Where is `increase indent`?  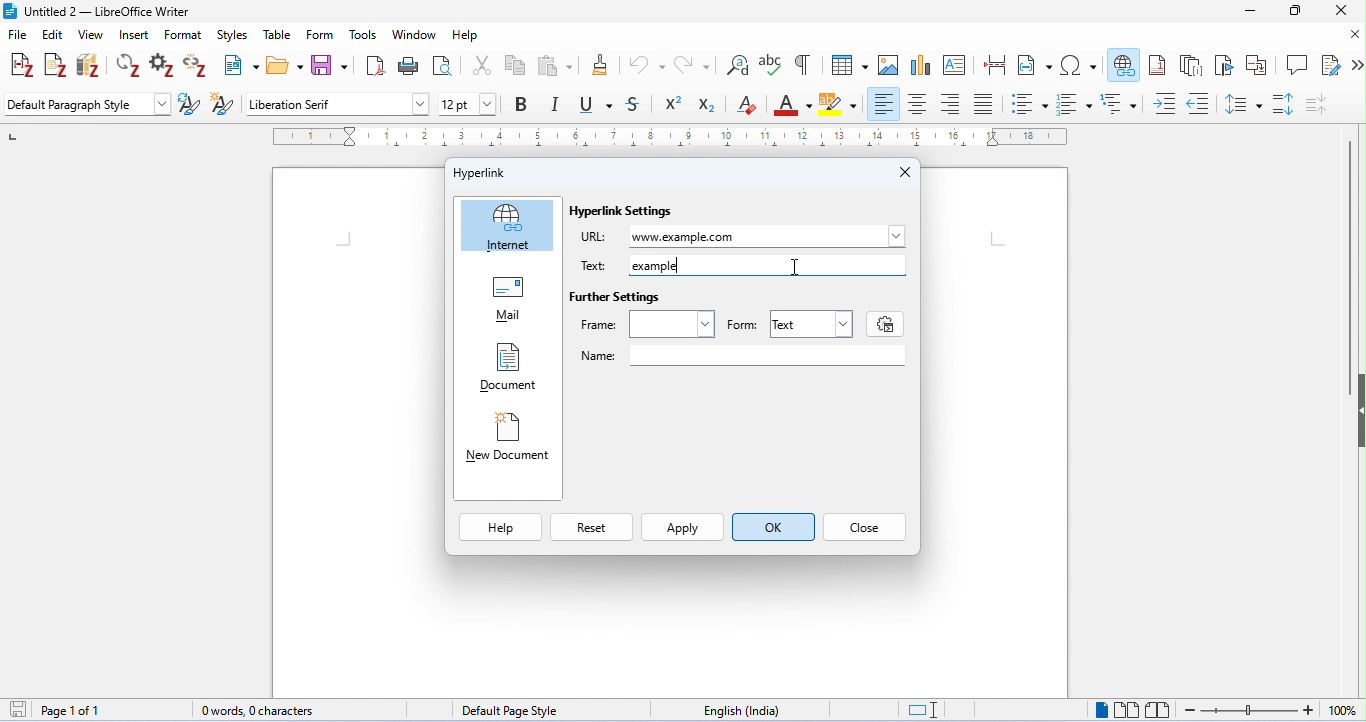
increase indent is located at coordinates (1166, 103).